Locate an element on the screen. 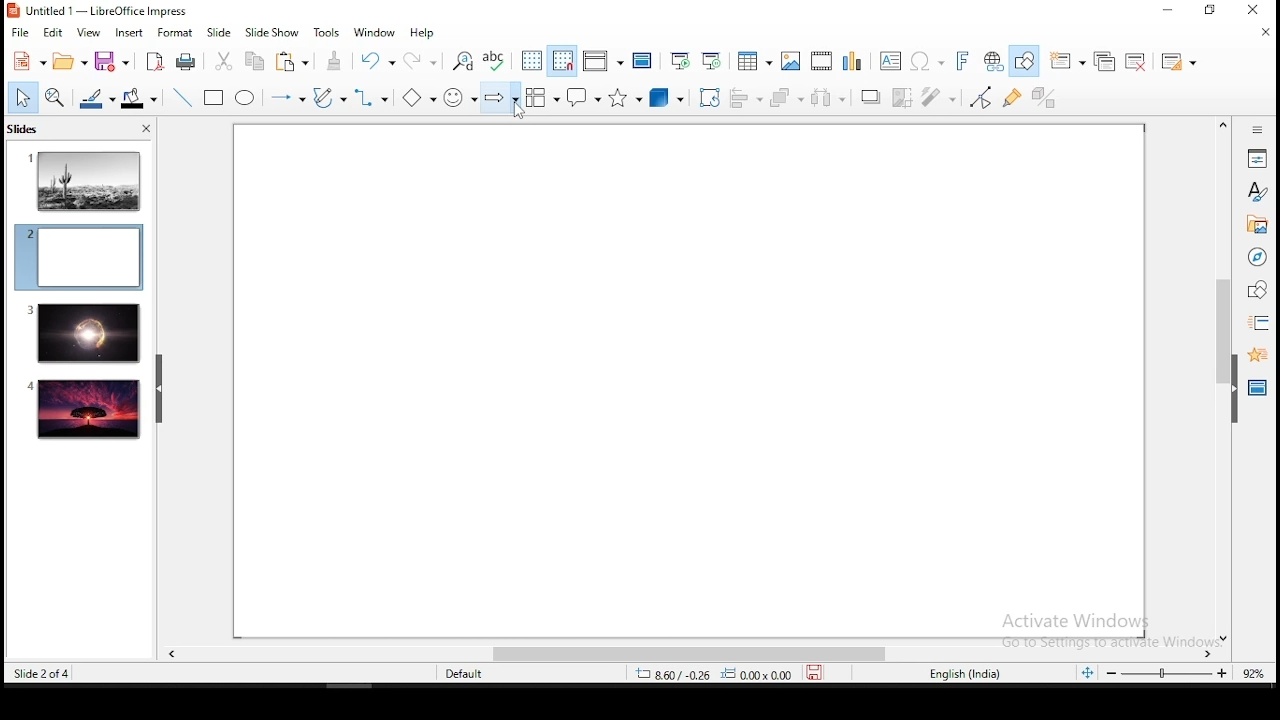 The image size is (1280, 720). basic shapes is located at coordinates (415, 98).